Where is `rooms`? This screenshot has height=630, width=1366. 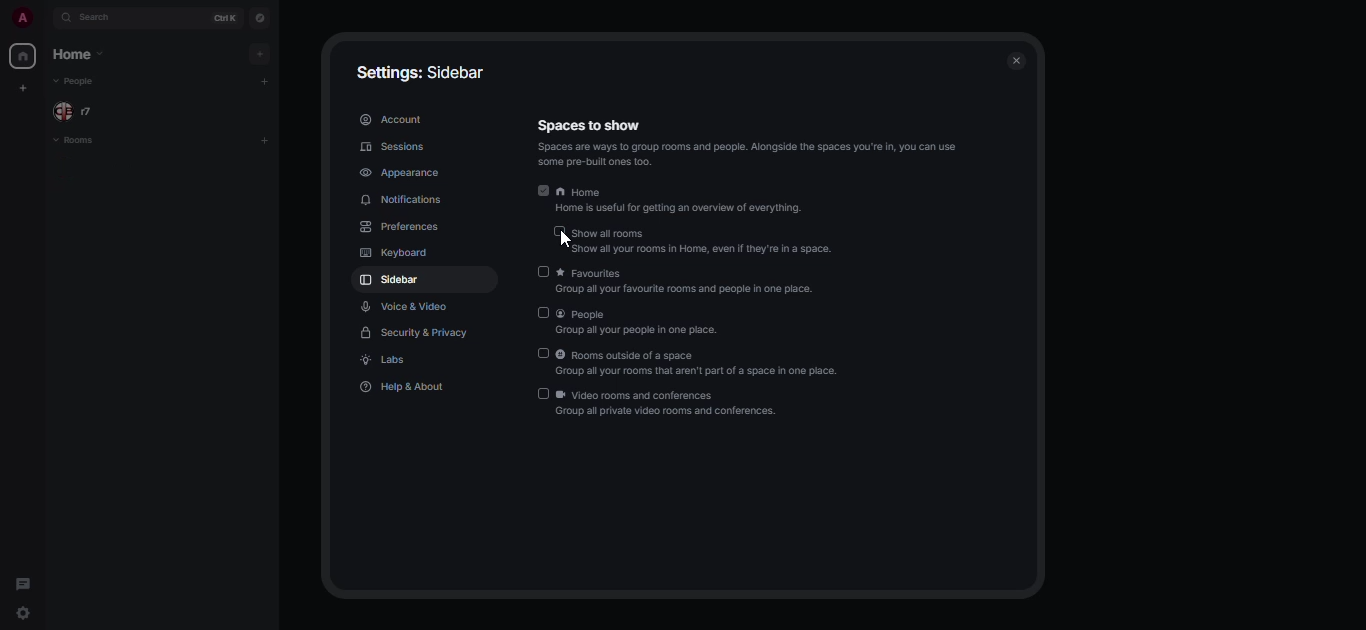 rooms is located at coordinates (80, 140).